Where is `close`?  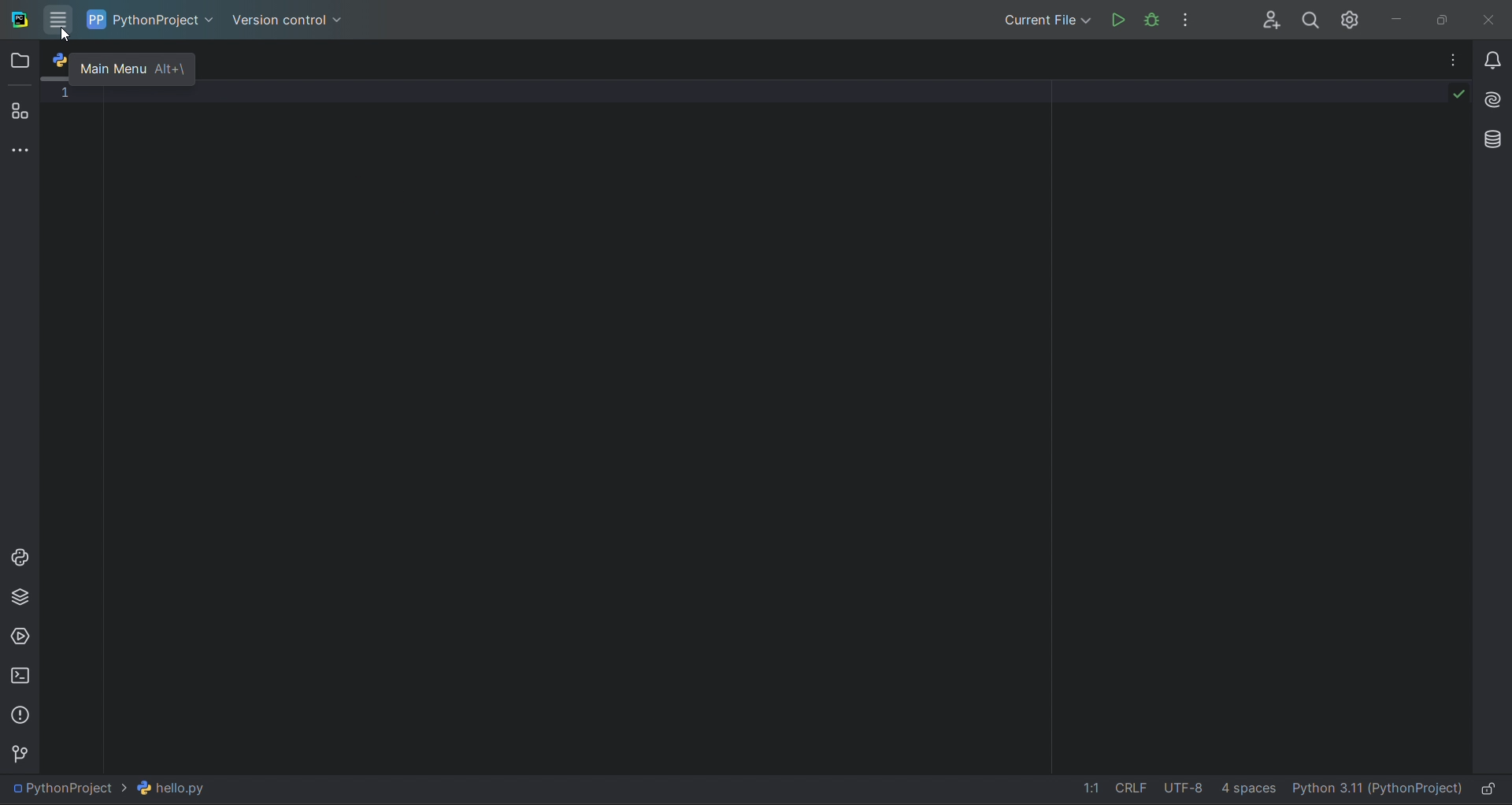
close is located at coordinates (1492, 17).